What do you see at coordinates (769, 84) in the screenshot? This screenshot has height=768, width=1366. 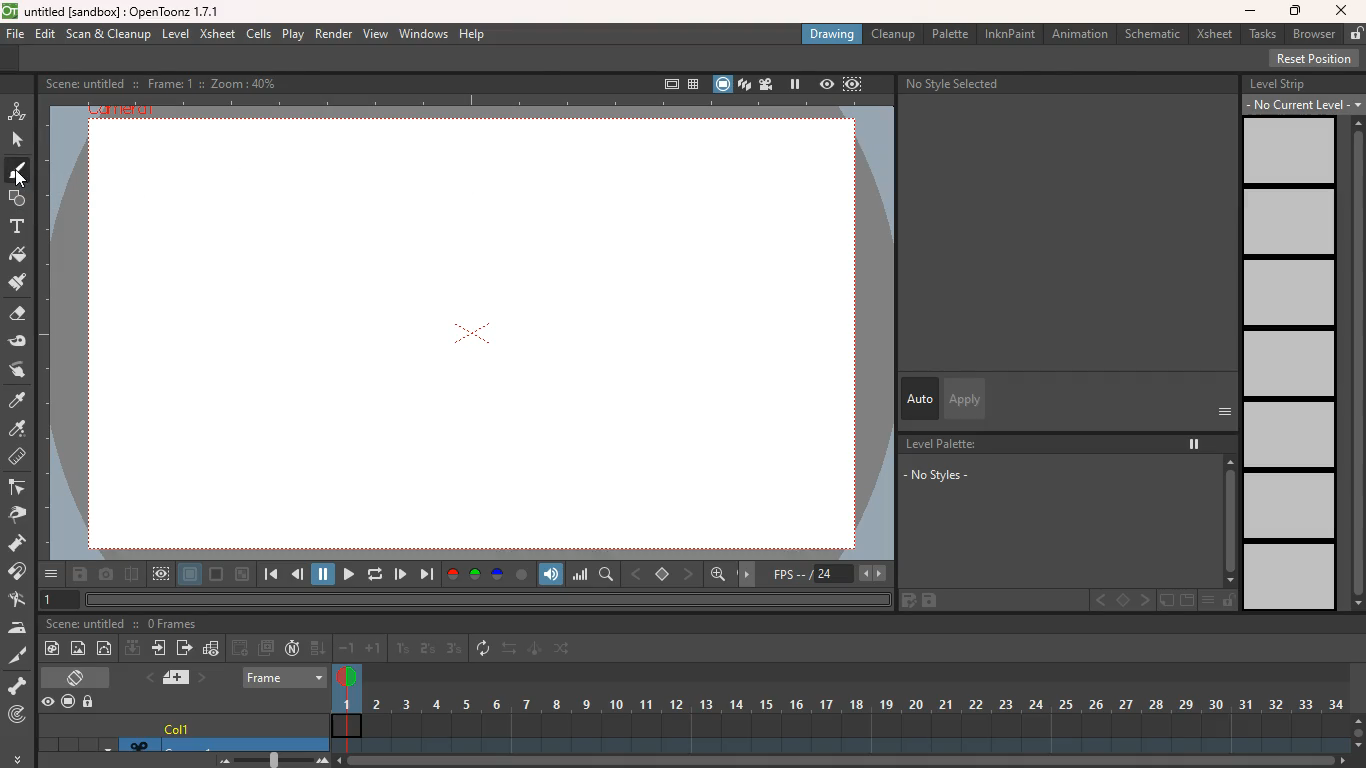 I see `film` at bounding box center [769, 84].